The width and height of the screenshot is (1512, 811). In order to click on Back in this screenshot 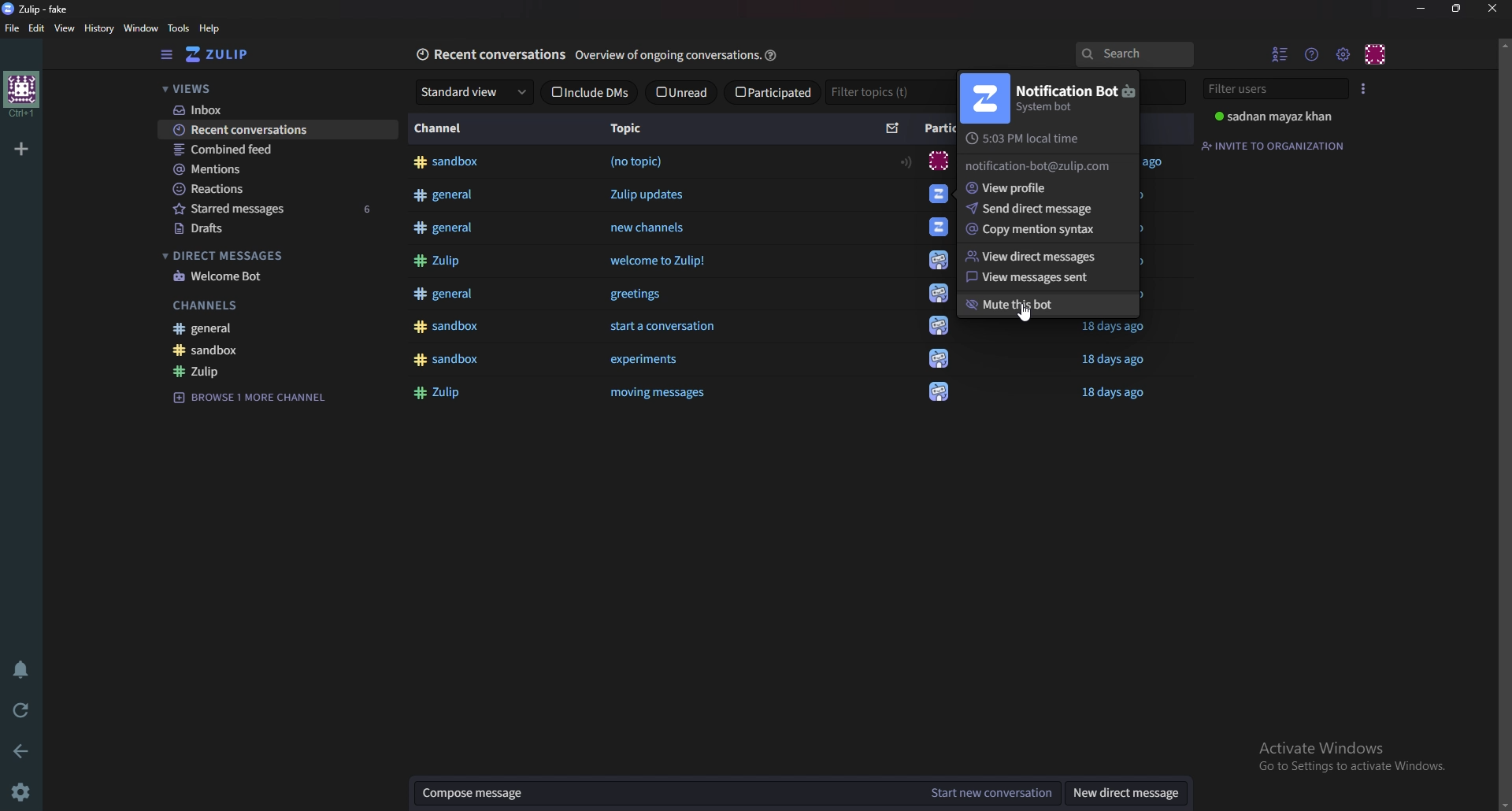, I will do `click(24, 751)`.